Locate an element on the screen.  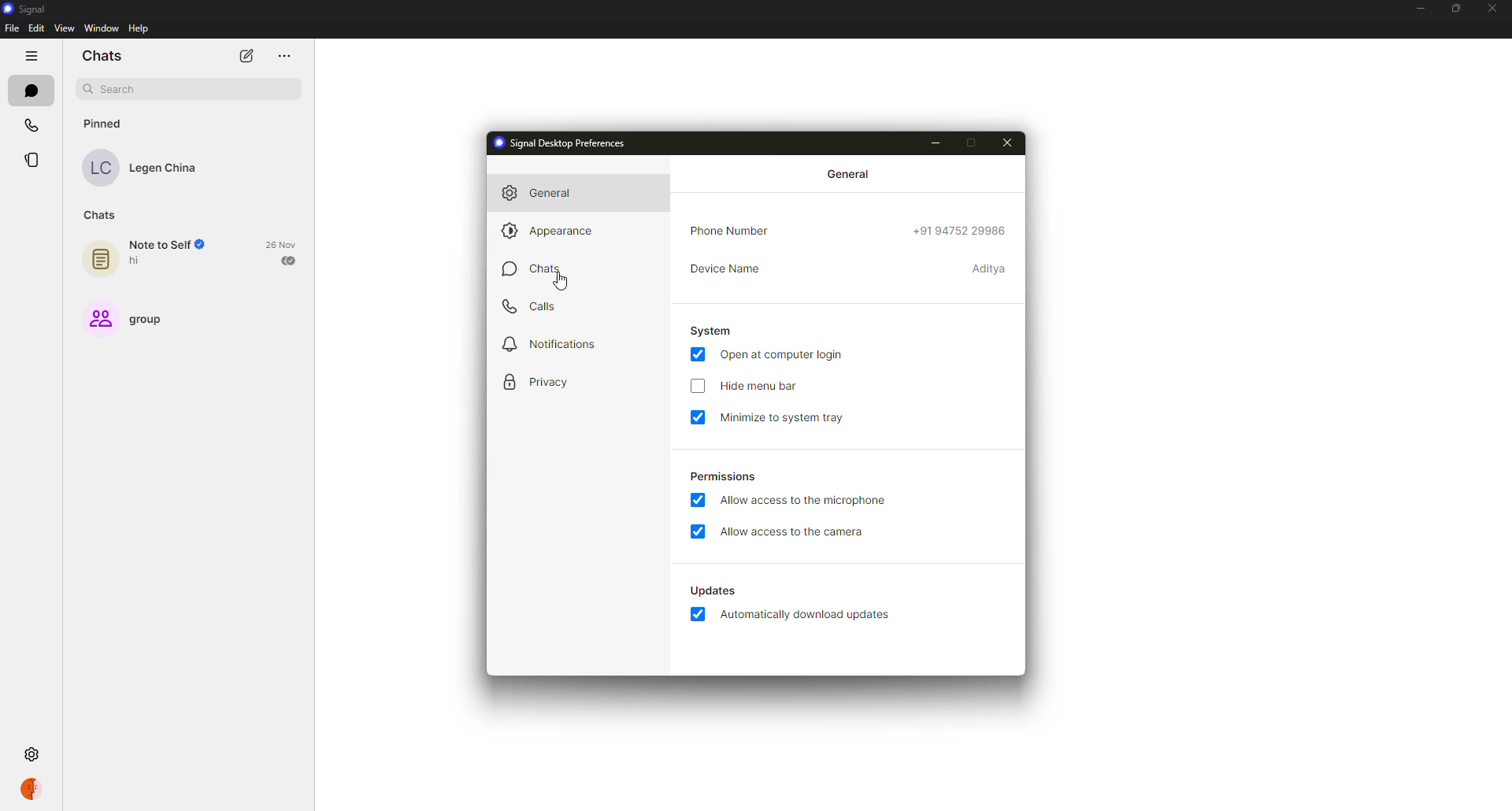
minimize is located at coordinates (1418, 9).